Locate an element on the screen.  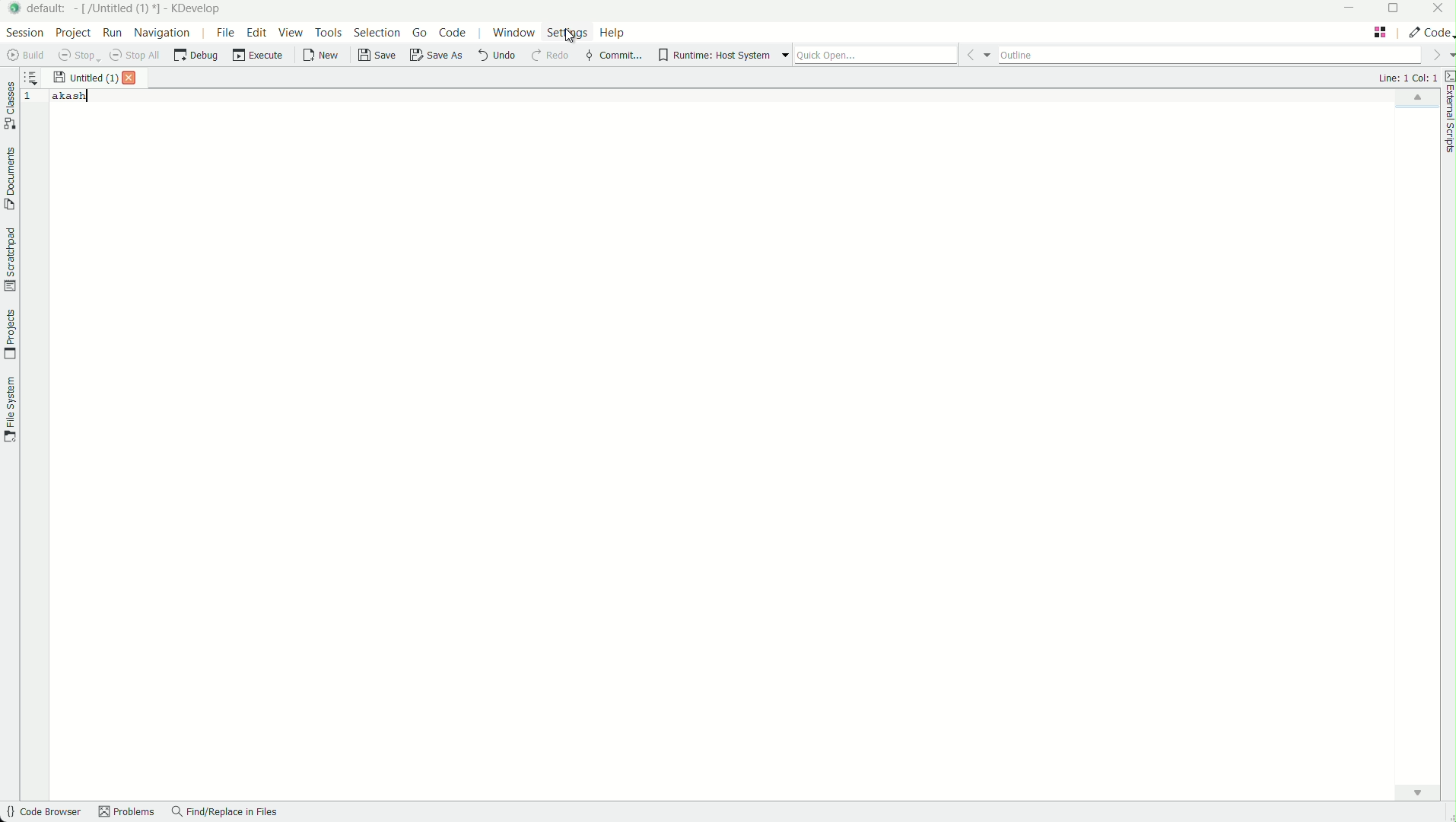
window menu is located at coordinates (513, 35).